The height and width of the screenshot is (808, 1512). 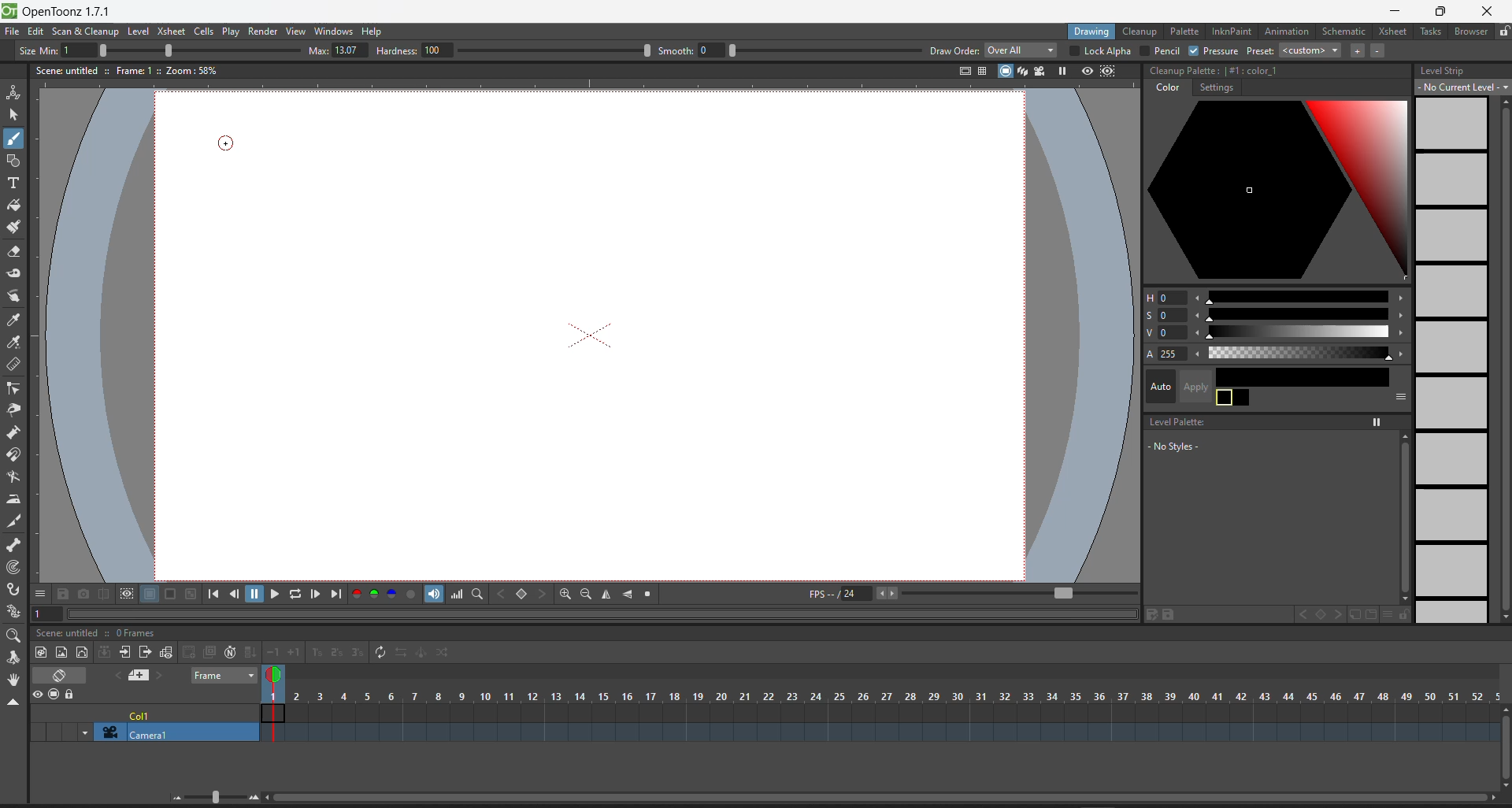 What do you see at coordinates (477, 595) in the screenshot?
I see `locator` at bounding box center [477, 595].